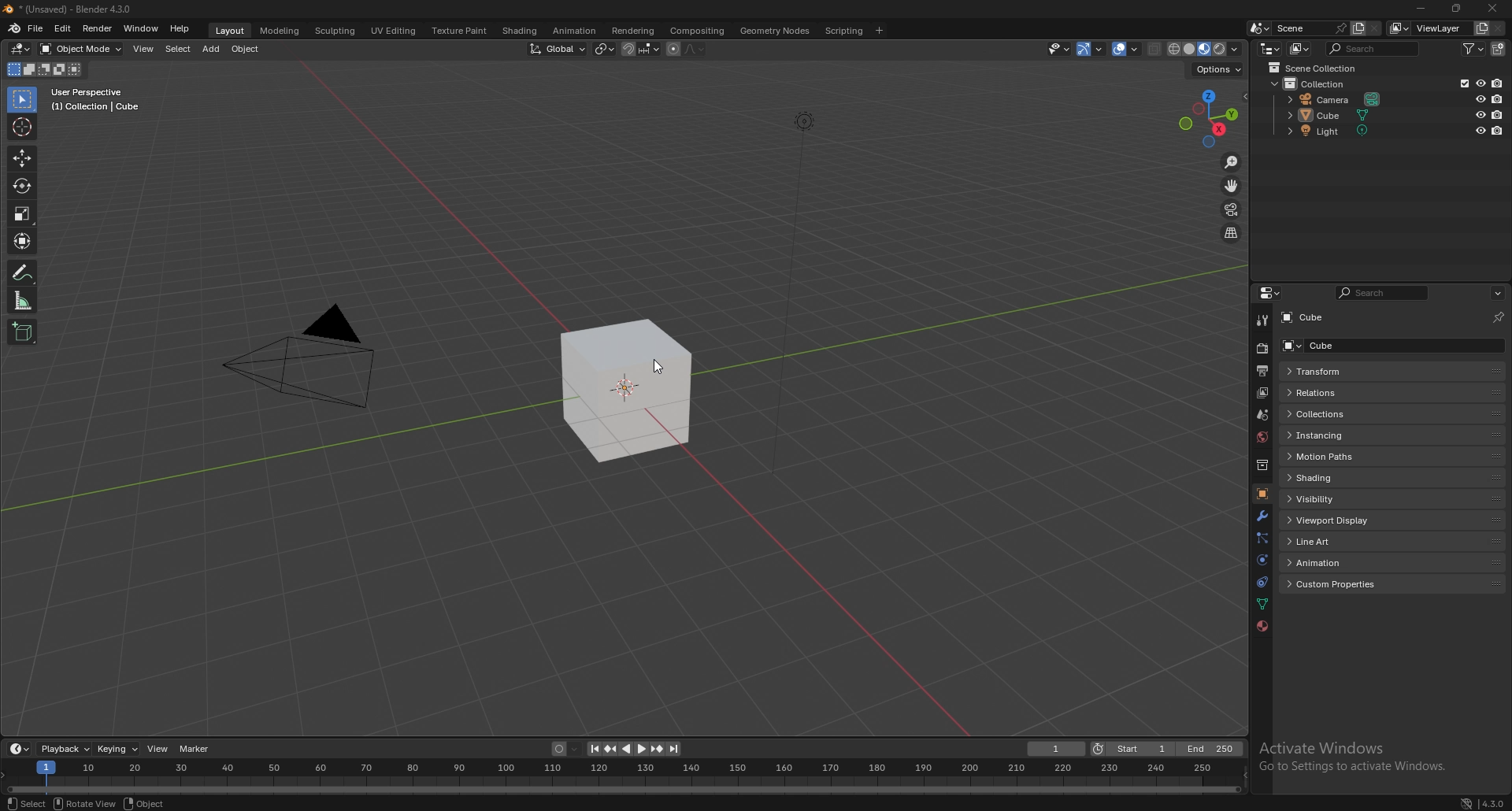 This screenshot has width=1512, height=811. What do you see at coordinates (1499, 28) in the screenshot?
I see `remove view layer` at bounding box center [1499, 28].